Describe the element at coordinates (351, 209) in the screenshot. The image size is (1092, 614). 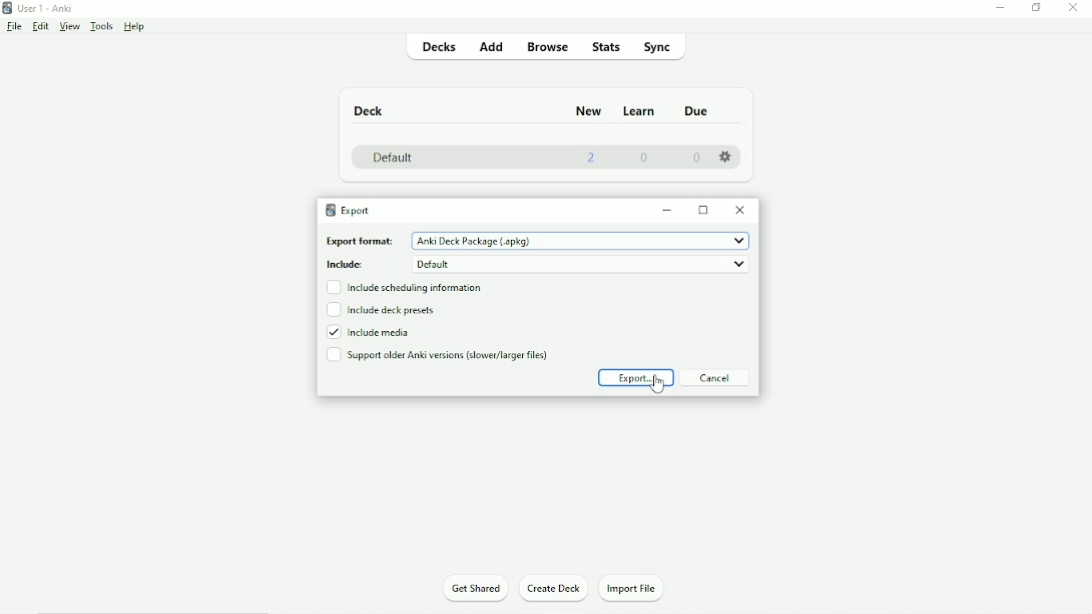
I see `Export` at that location.